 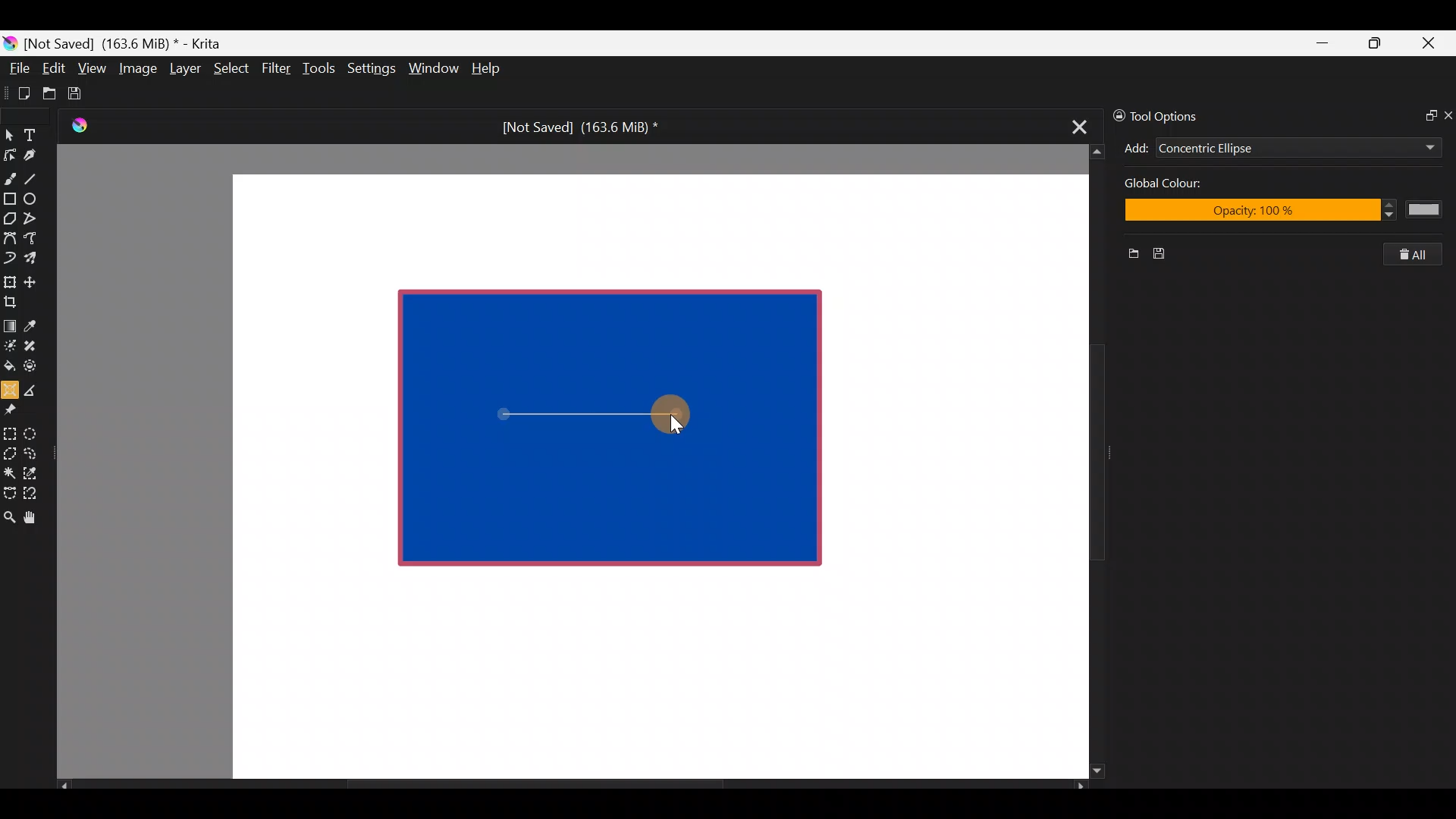 I want to click on Bezier curve tool, so click(x=9, y=240).